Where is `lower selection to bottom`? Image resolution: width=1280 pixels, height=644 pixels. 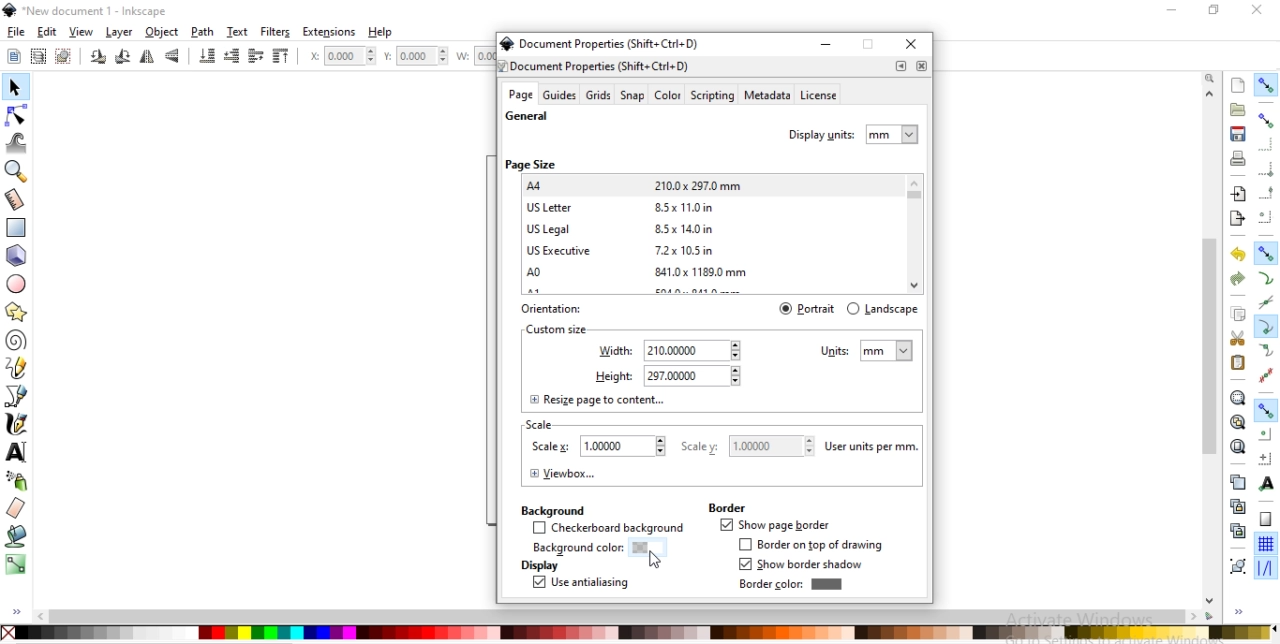 lower selection to bottom is located at coordinates (208, 56).